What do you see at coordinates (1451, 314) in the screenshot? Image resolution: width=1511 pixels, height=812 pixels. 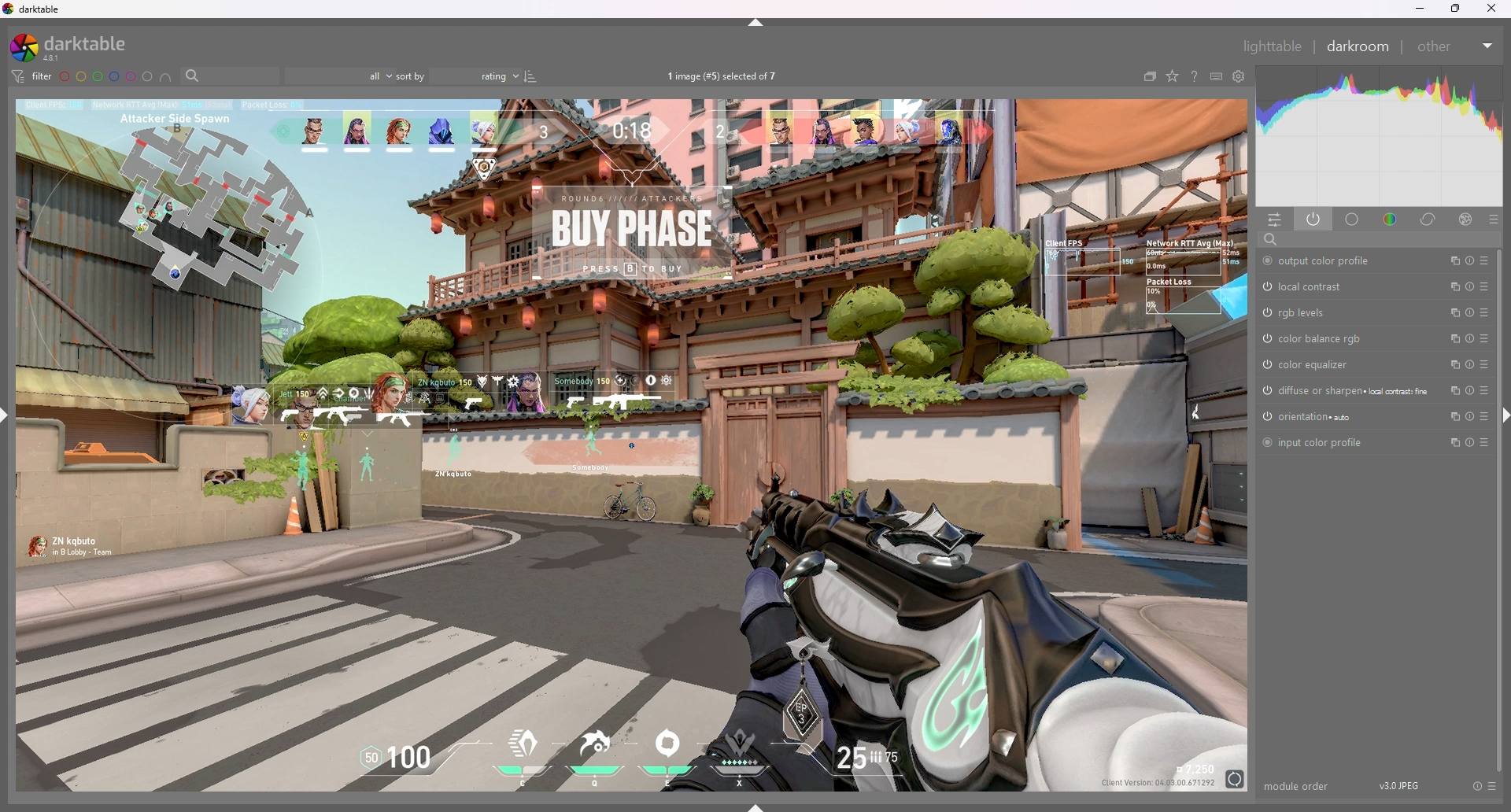 I see `multiple instances actions` at bounding box center [1451, 314].